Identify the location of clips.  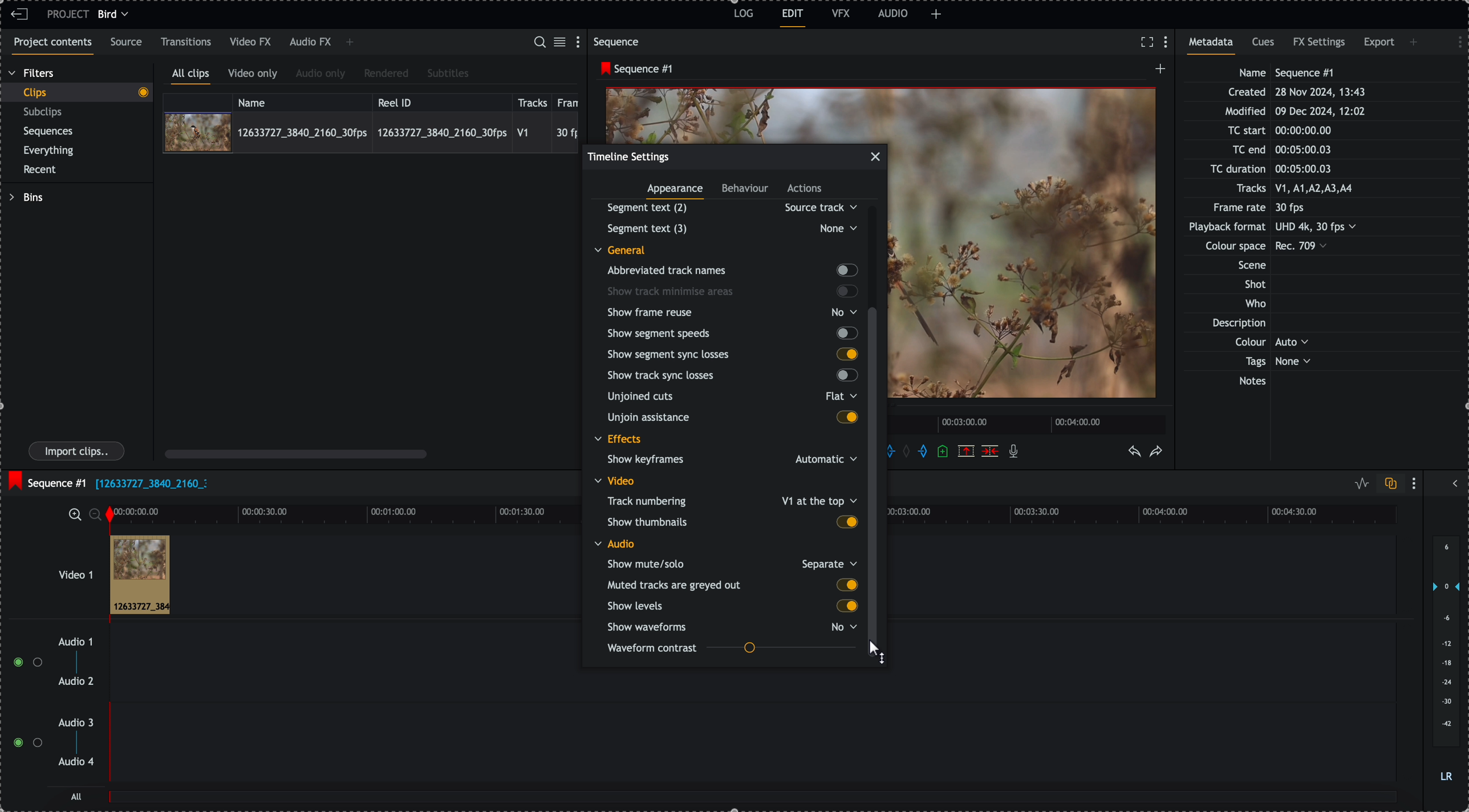
(76, 93).